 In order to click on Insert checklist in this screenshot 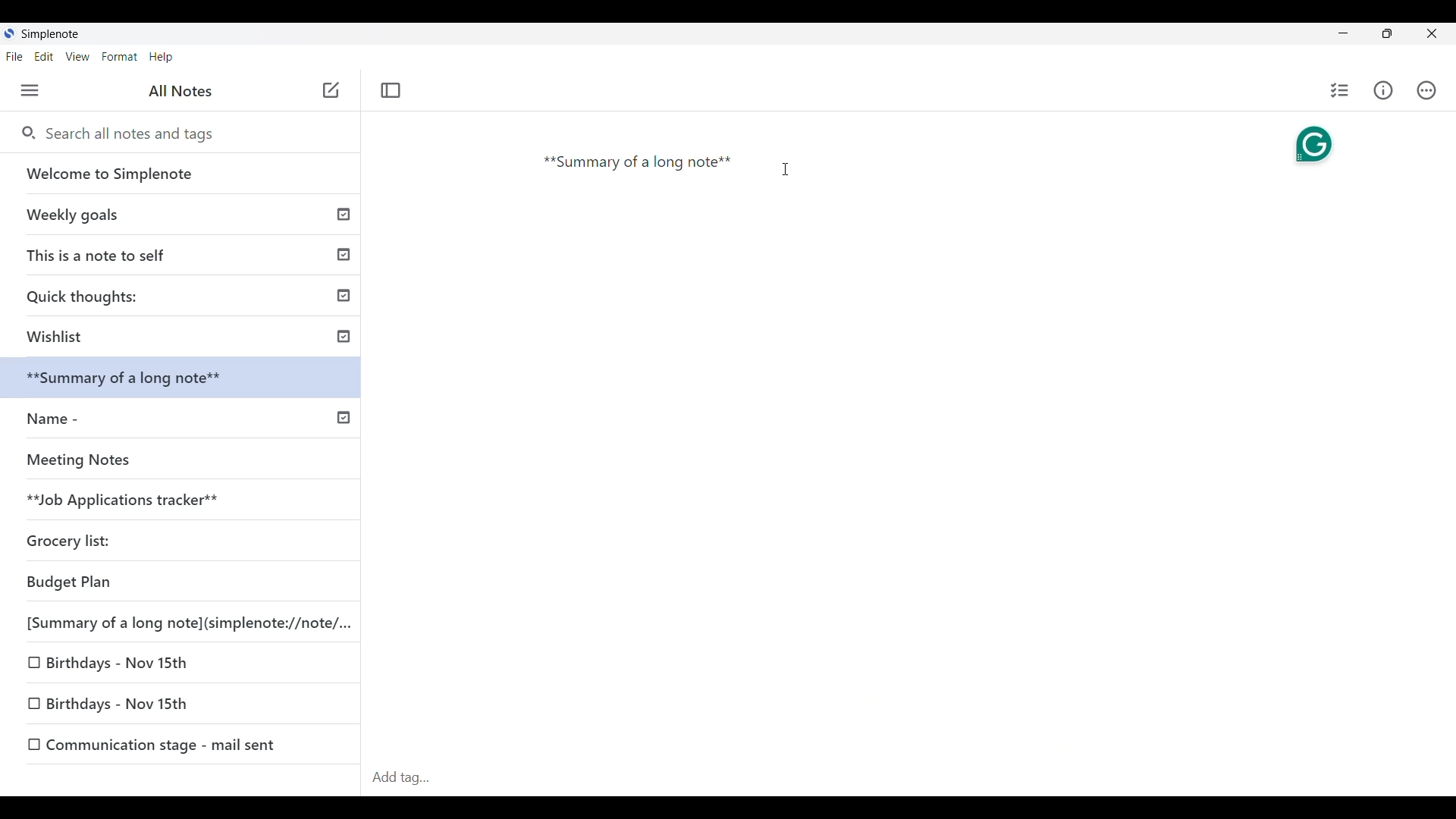, I will do `click(1341, 90)`.